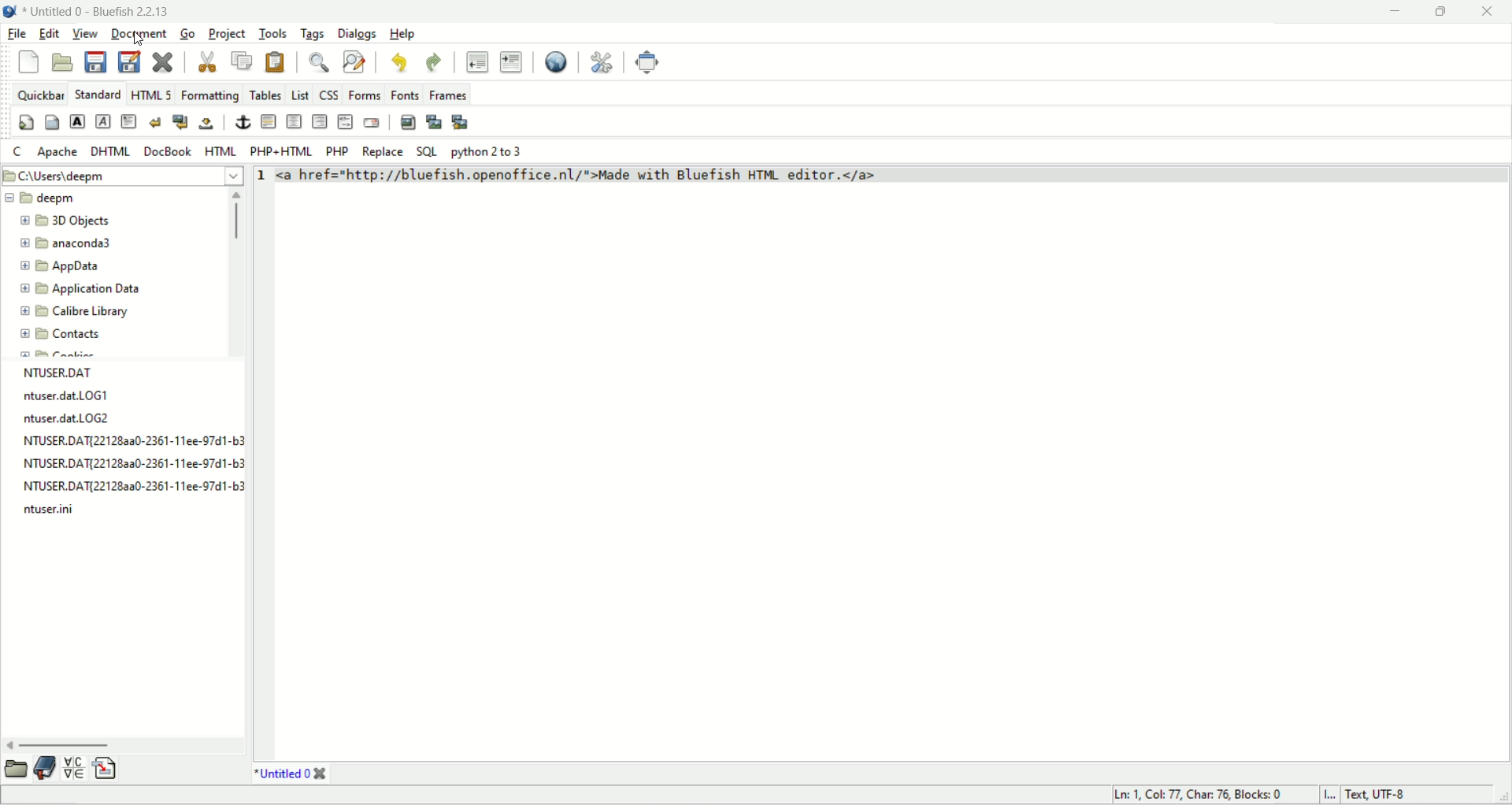 The width and height of the screenshot is (1512, 805). I want to click on tags, so click(313, 32).